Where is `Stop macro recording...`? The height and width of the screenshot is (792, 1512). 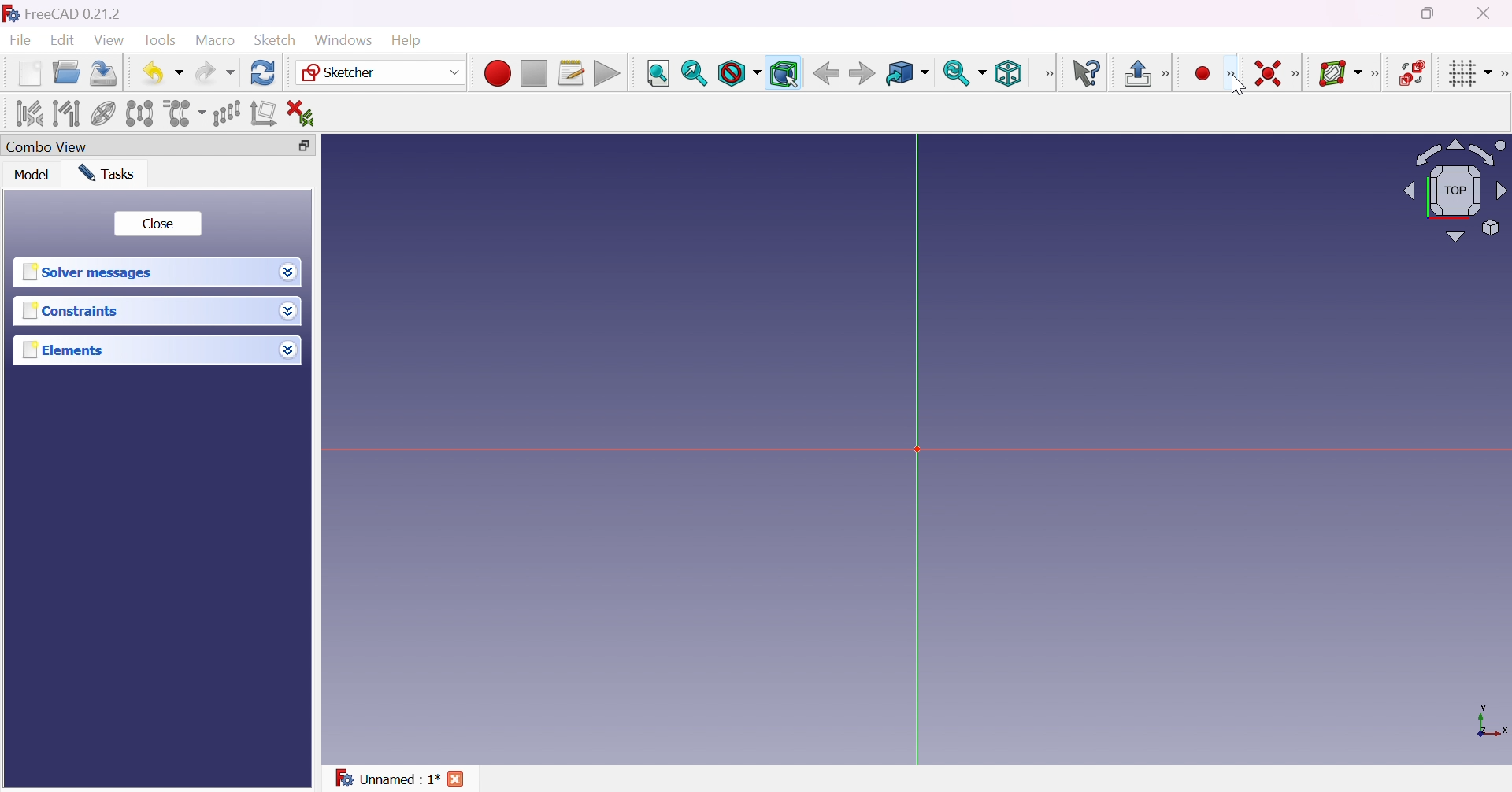 Stop macro recording... is located at coordinates (535, 74).